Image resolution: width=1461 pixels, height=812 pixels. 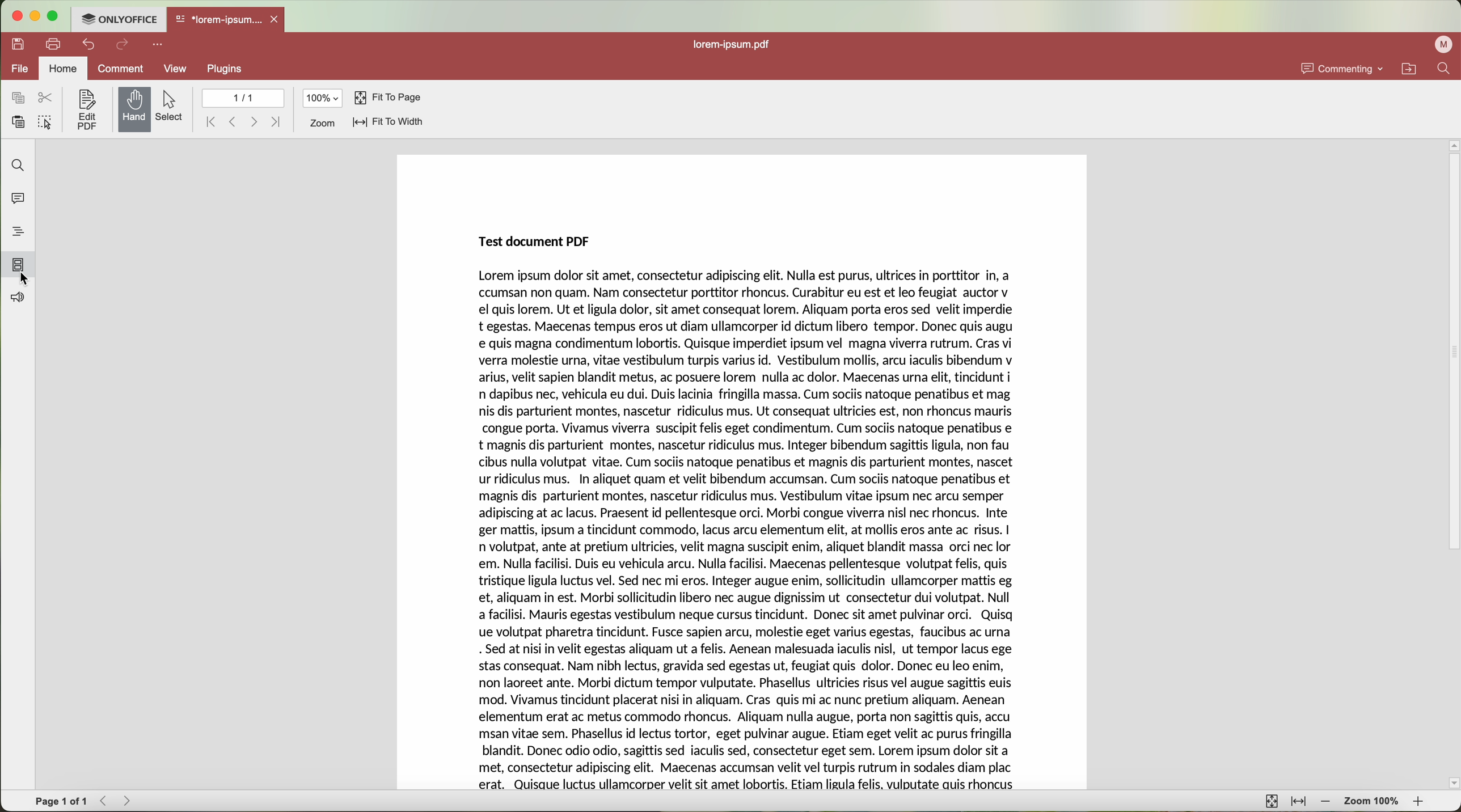 I want to click on redo, so click(x=123, y=46).